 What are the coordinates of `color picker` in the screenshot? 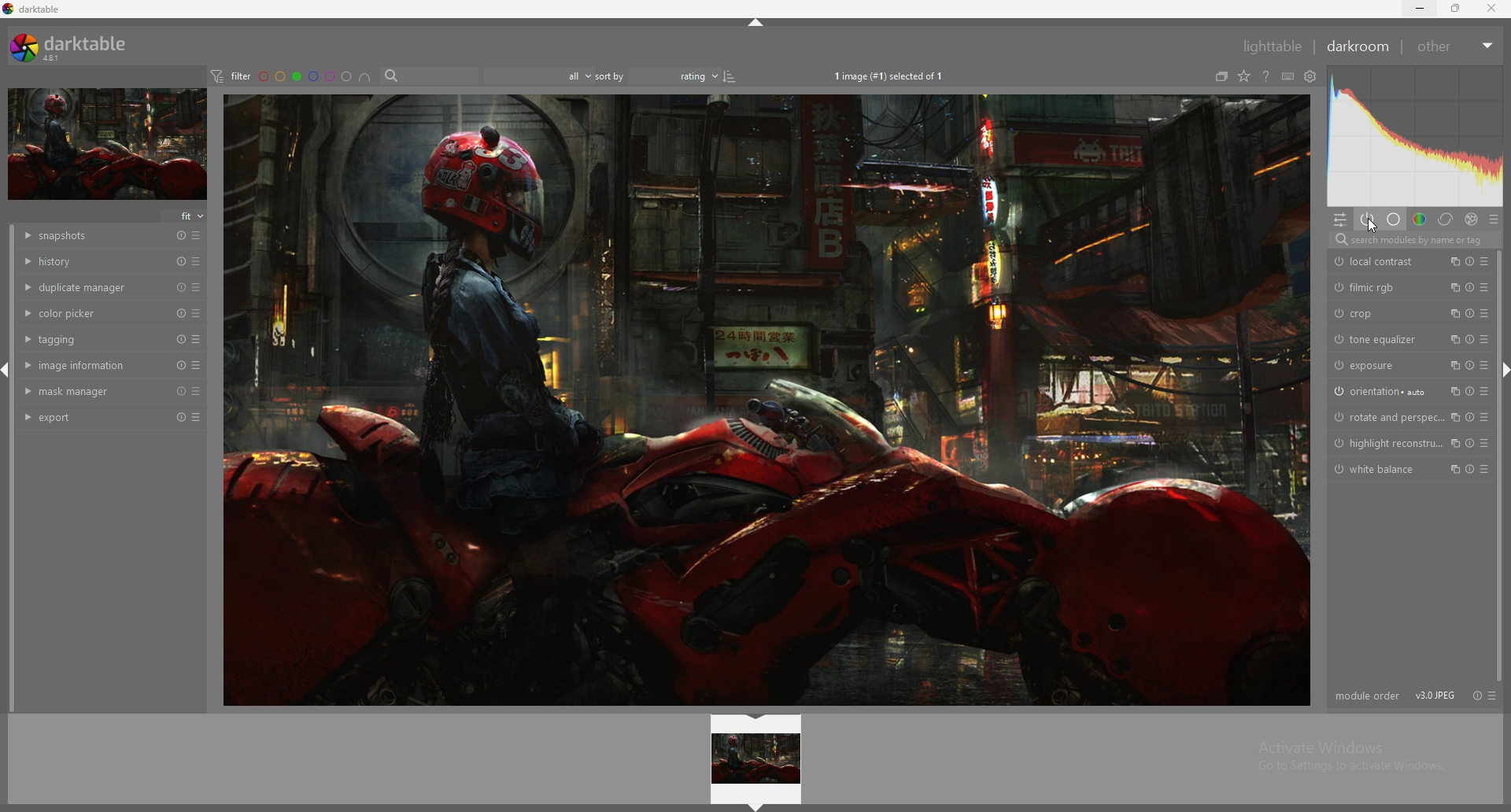 It's located at (94, 312).